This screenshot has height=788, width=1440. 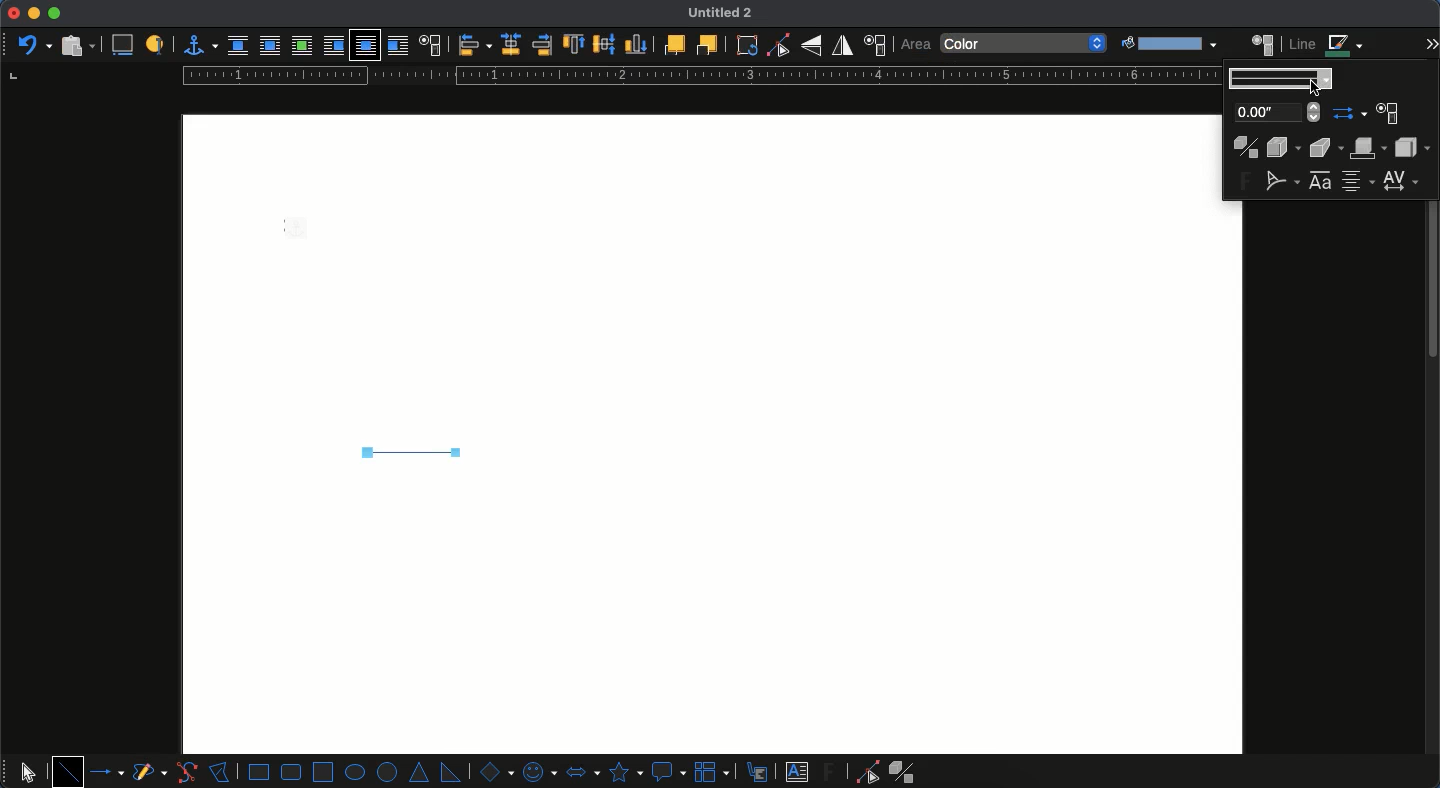 What do you see at coordinates (511, 44) in the screenshot?
I see `center` at bounding box center [511, 44].